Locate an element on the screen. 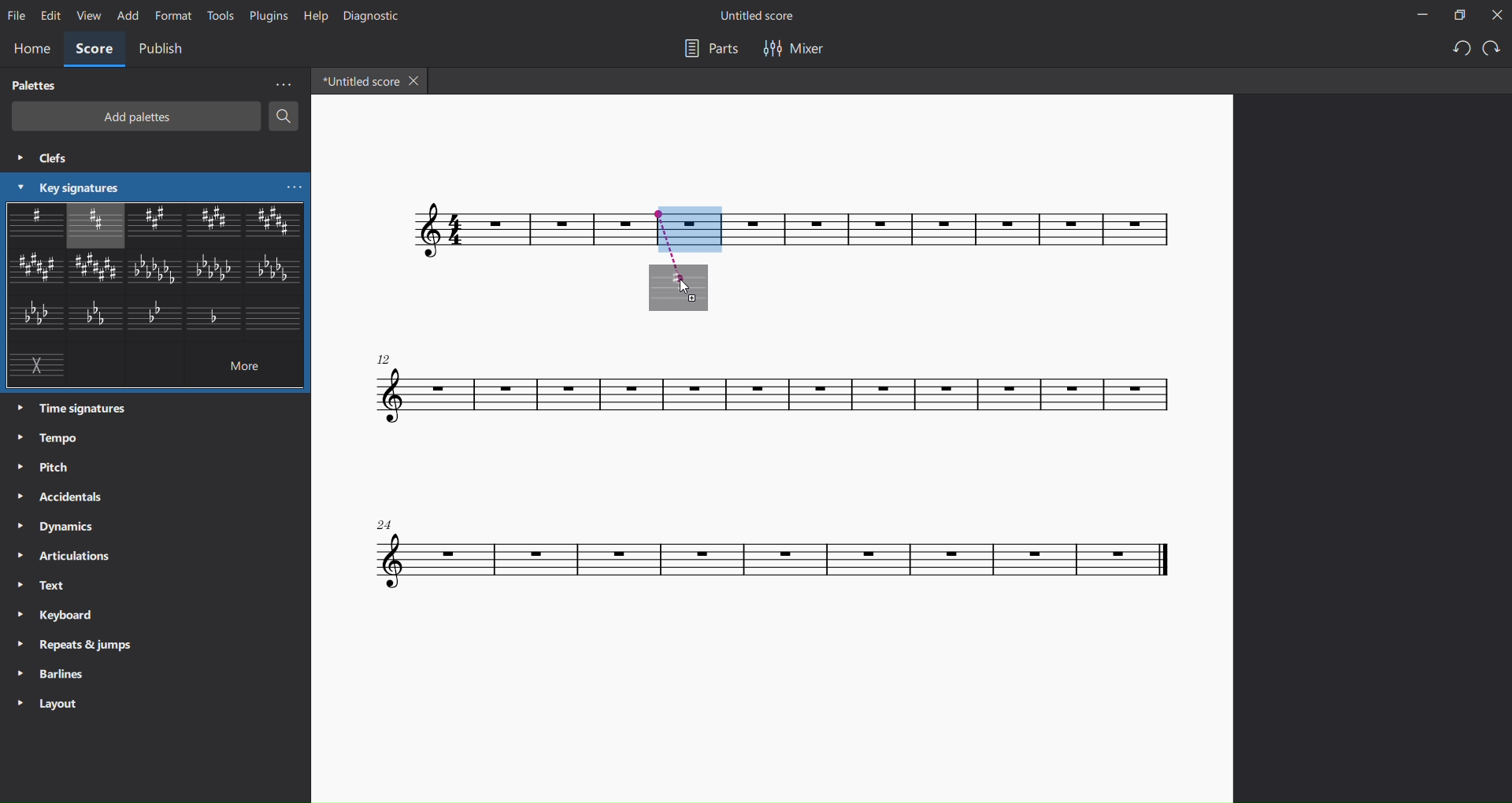 This screenshot has width=1512, height=803. title is located at coordinates (757, 17).